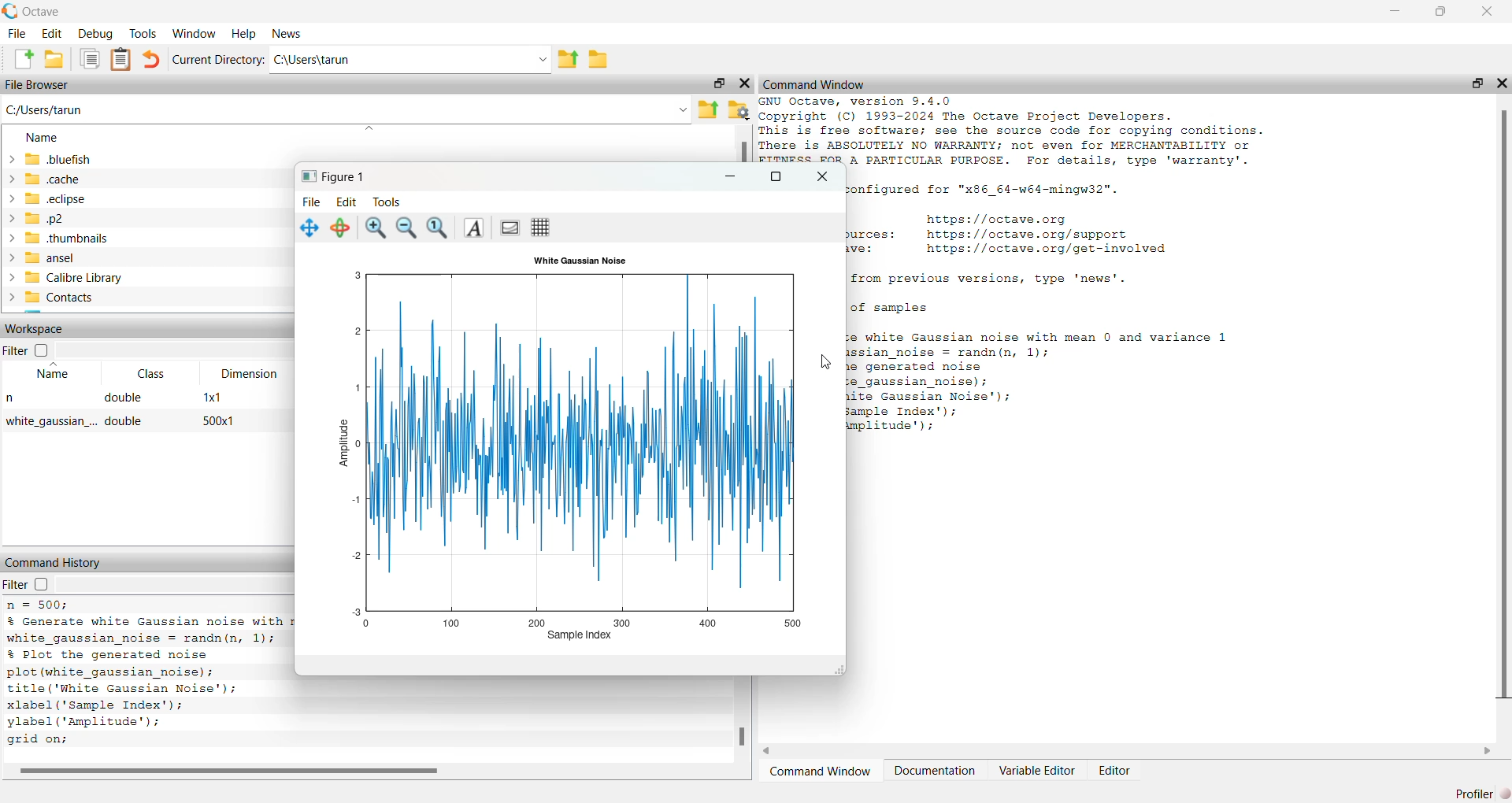  What do you see at coordinates (824, 179) in the screenshot?
I see `close` at bounding box center [824, 179].